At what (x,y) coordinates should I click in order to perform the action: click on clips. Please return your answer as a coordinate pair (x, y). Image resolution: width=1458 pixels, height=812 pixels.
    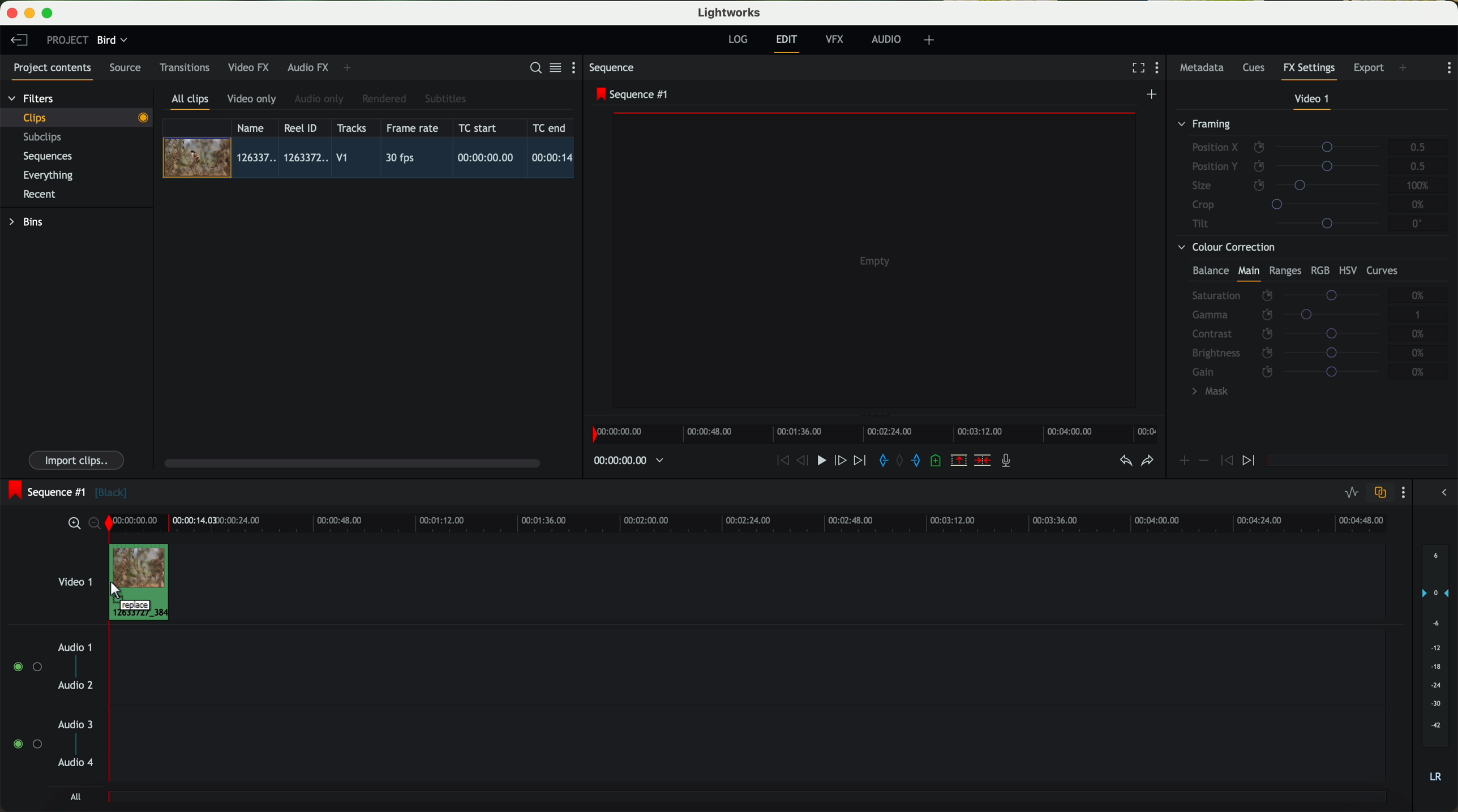
    Looking at the image, I should click on (77, 117).